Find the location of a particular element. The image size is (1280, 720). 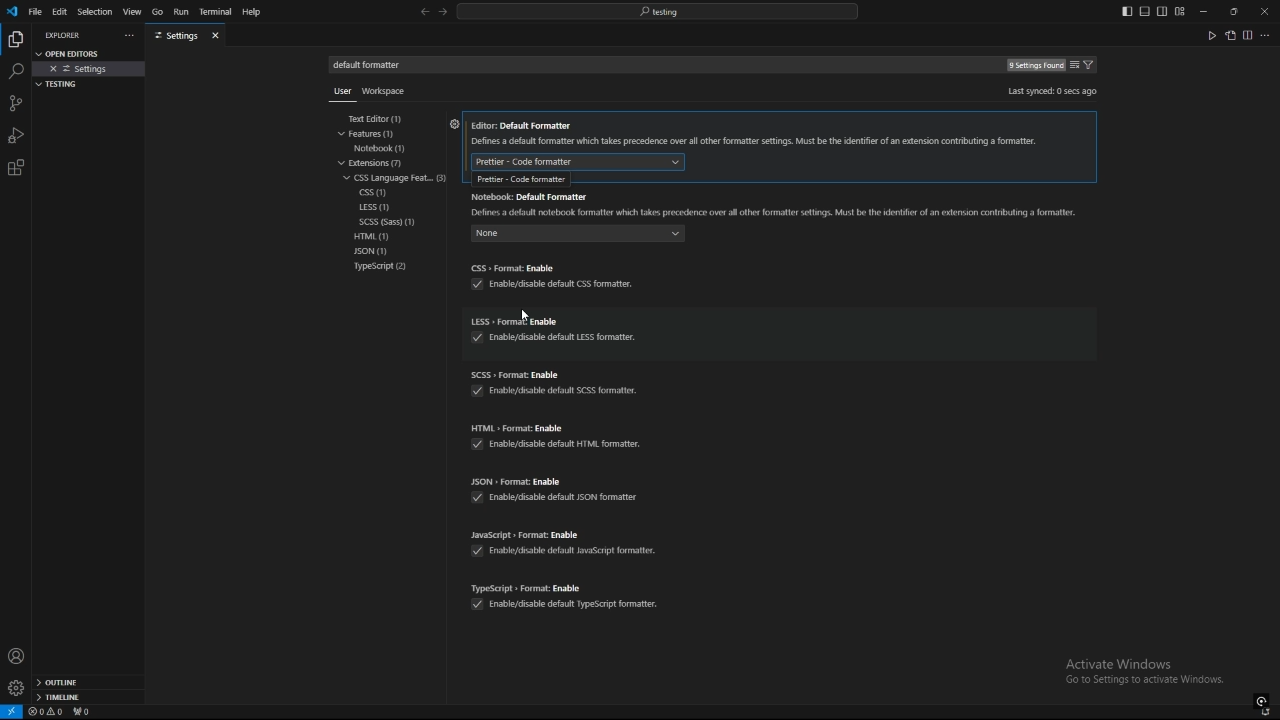

enable /disable default javascript formatter is located at coordinates (571, 549).